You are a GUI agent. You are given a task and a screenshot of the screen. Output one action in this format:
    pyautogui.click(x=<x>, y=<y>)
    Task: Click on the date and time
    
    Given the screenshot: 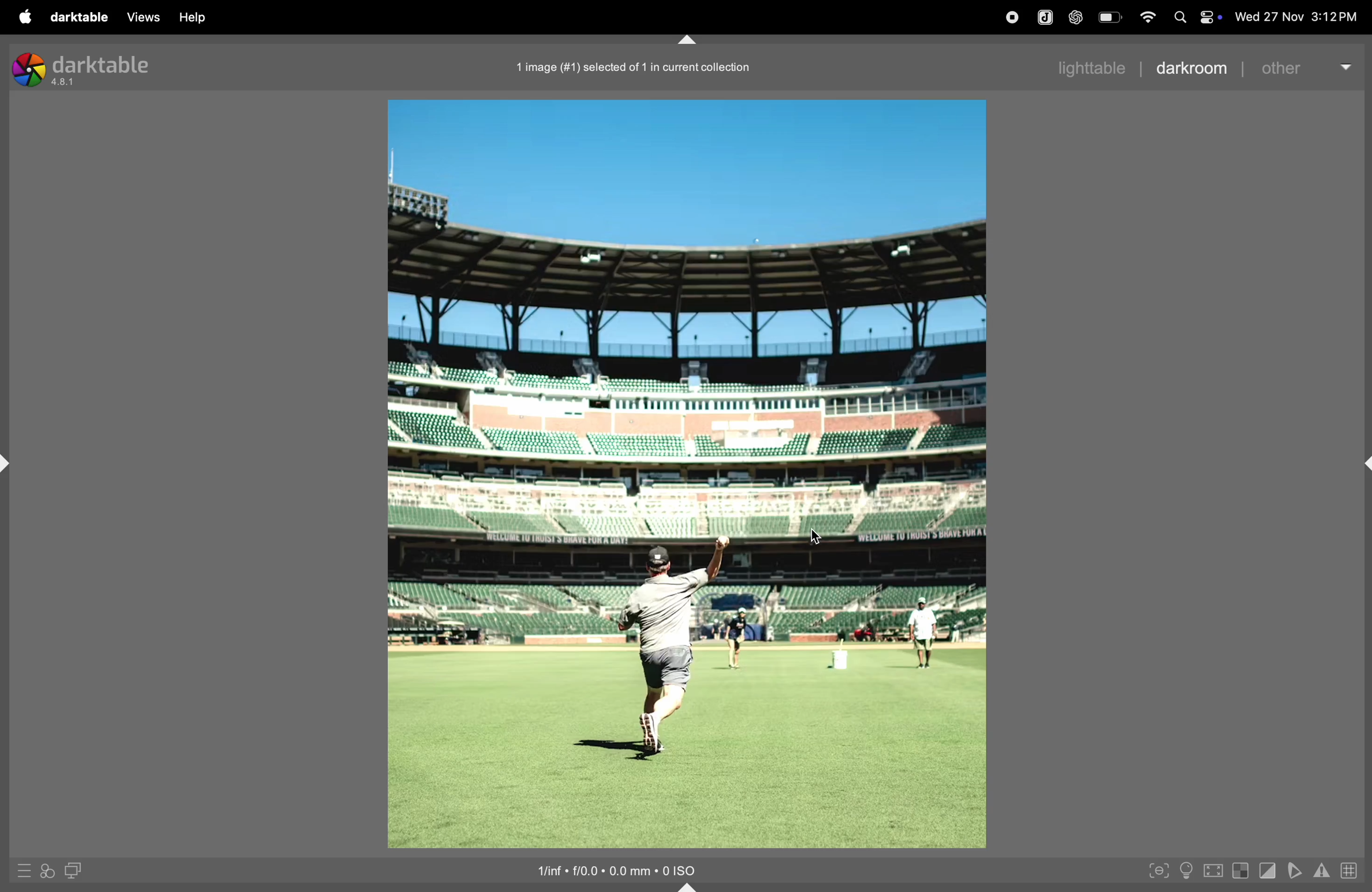 What is the action you would take?
    pyautogui.click(x=1295, y=17)
    